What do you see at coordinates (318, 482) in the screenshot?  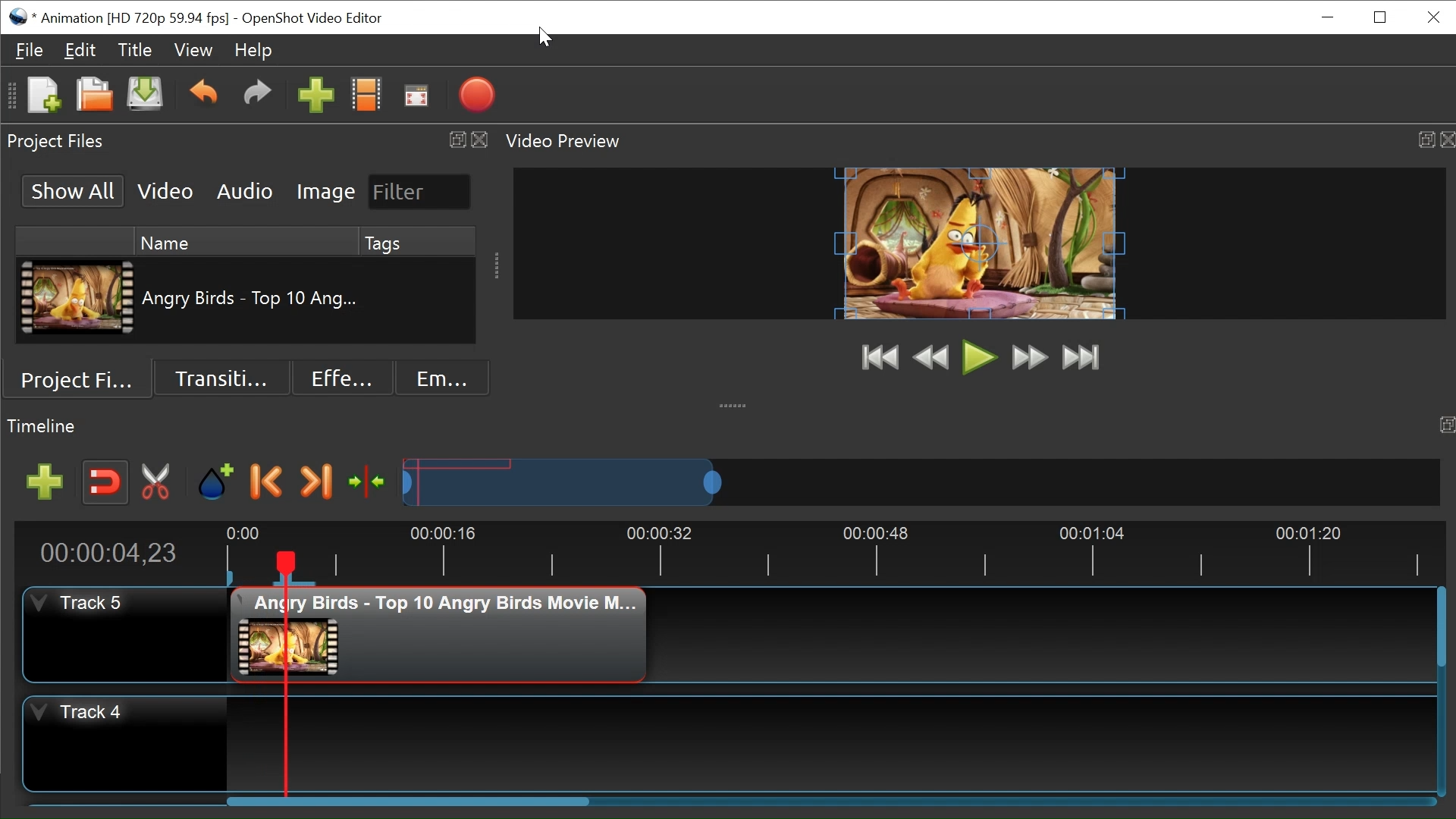 I see `Next Marker` at bounding box center [318, 482].